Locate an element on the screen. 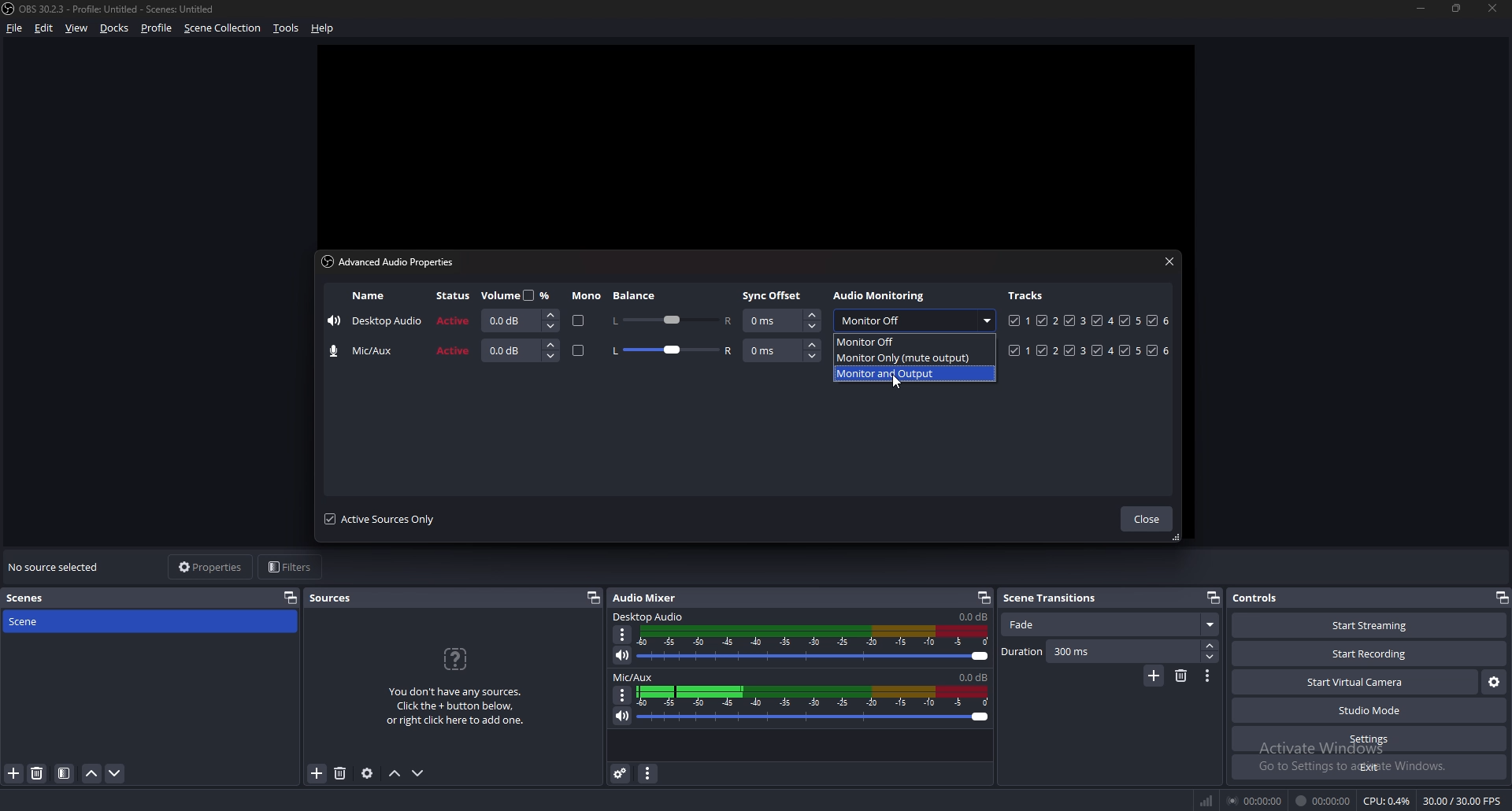 Image resolution: width=1512 pixels, height=811 pixels. tracks is located at coordinates (1089, 320).